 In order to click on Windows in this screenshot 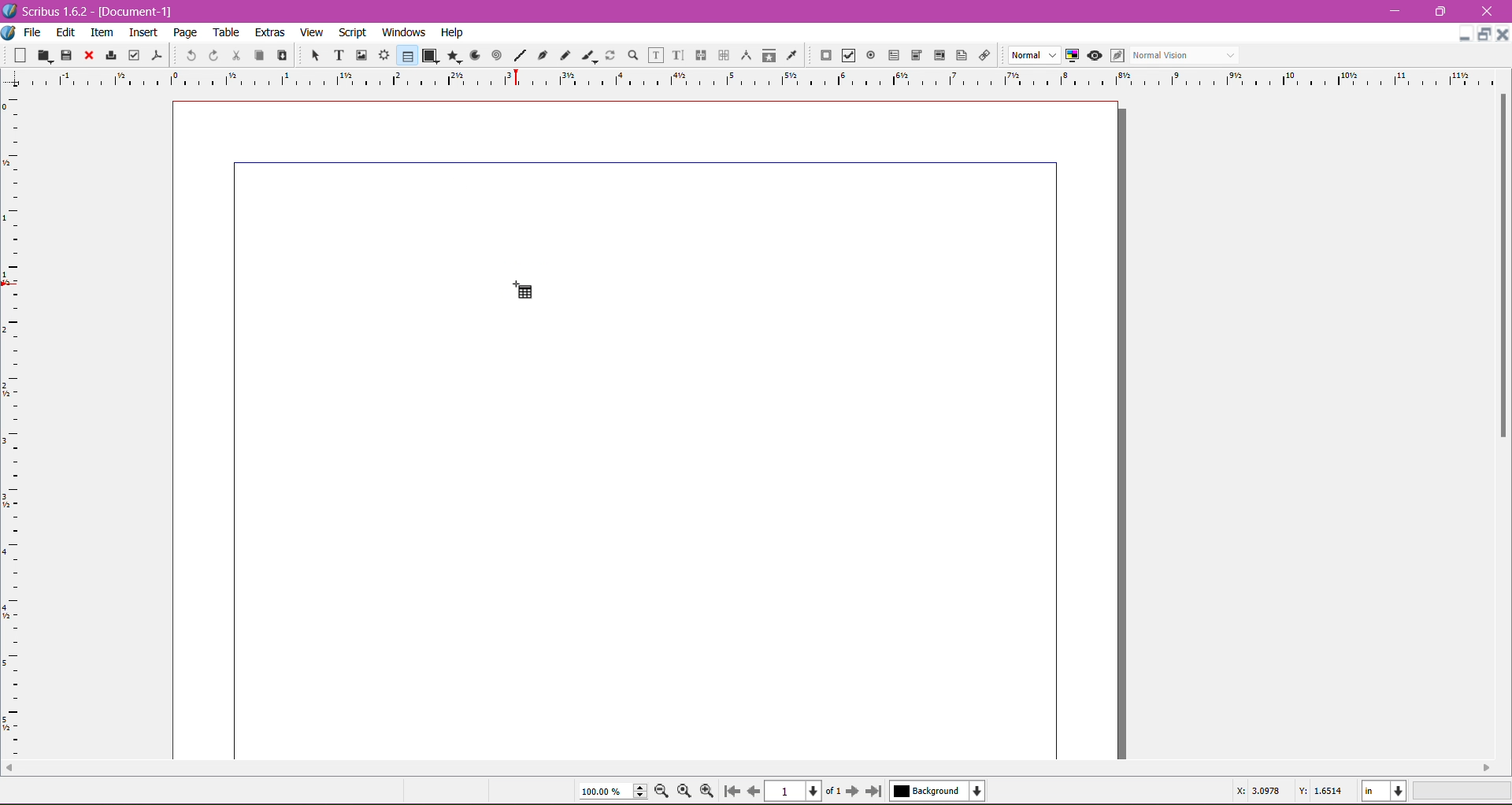, I will do `click(402, 32)`.